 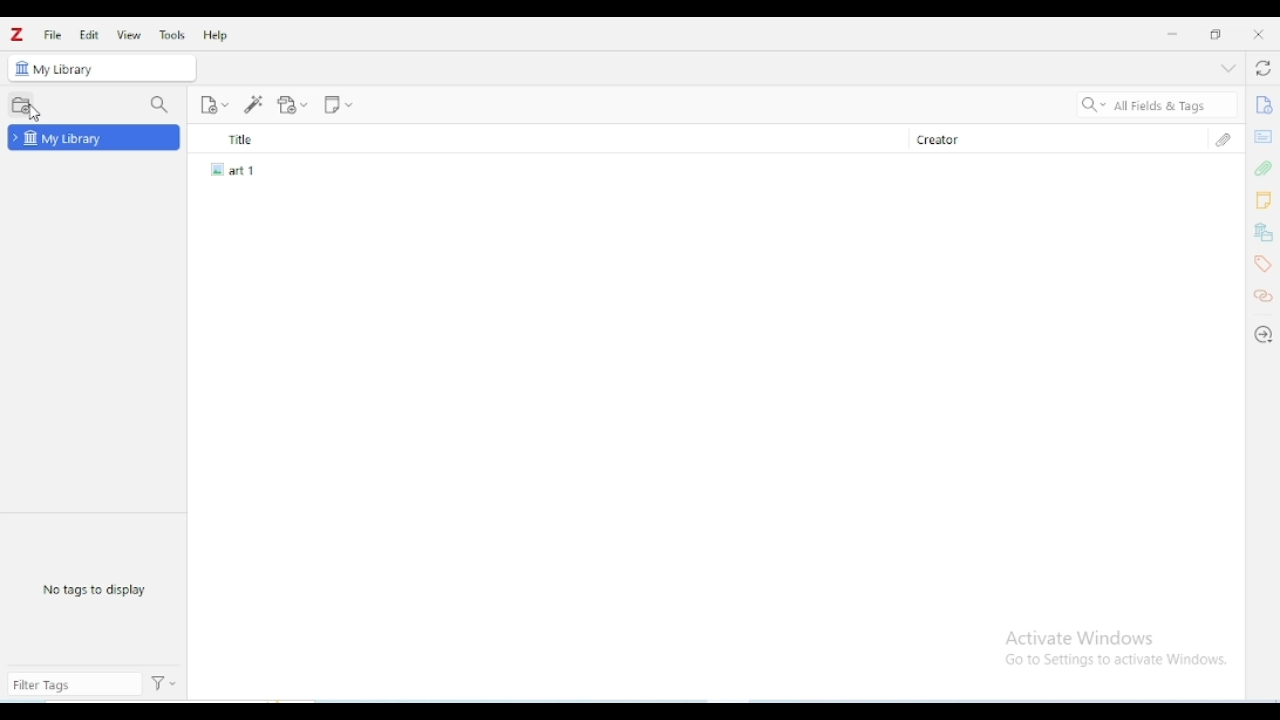 What do you see at coordinates (20, 103) in the screenshot?
I see `new collection` at bounding box center [20, 103].